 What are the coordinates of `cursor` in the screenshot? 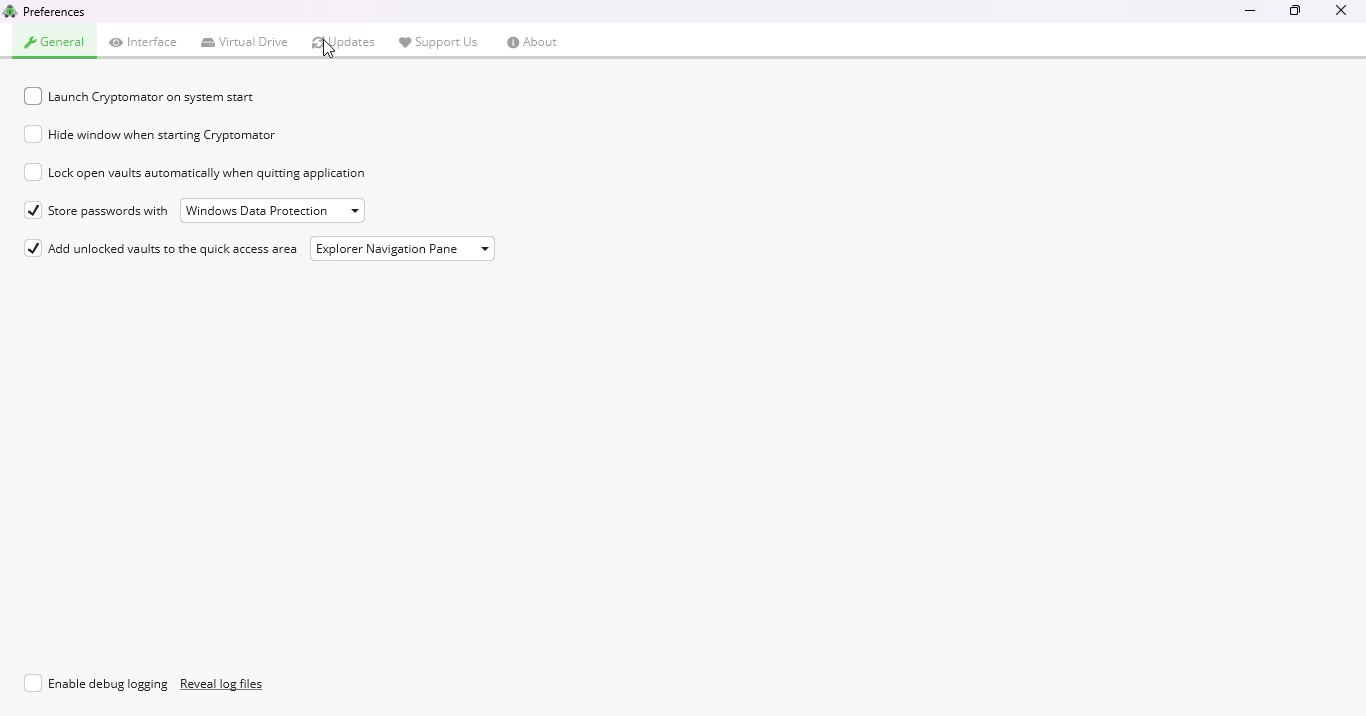 It's located at (328, 52).